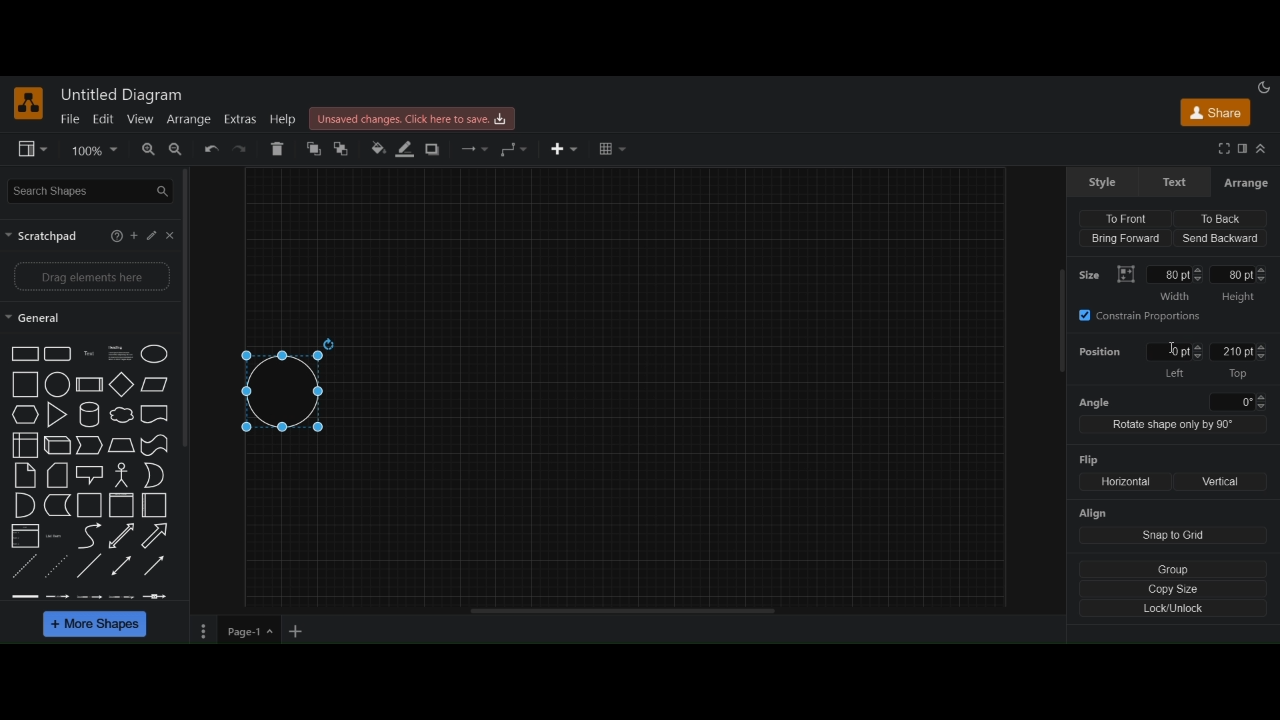  What do you see at coordinates (625, 611) in the screenshot?
I see `horizontall scroll bar` at bounding box center [625, 611].